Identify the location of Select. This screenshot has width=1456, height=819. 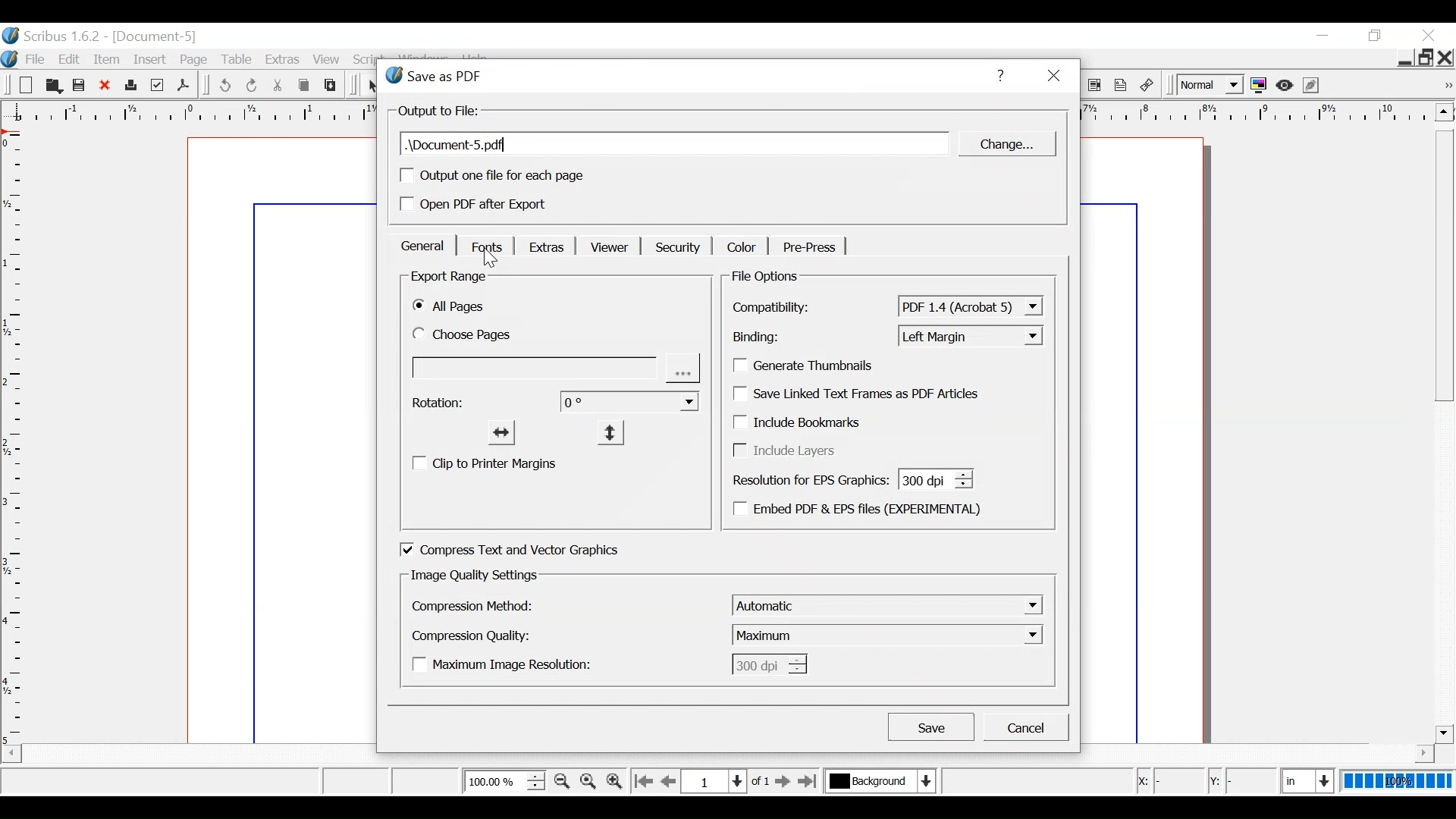
(374, 86).